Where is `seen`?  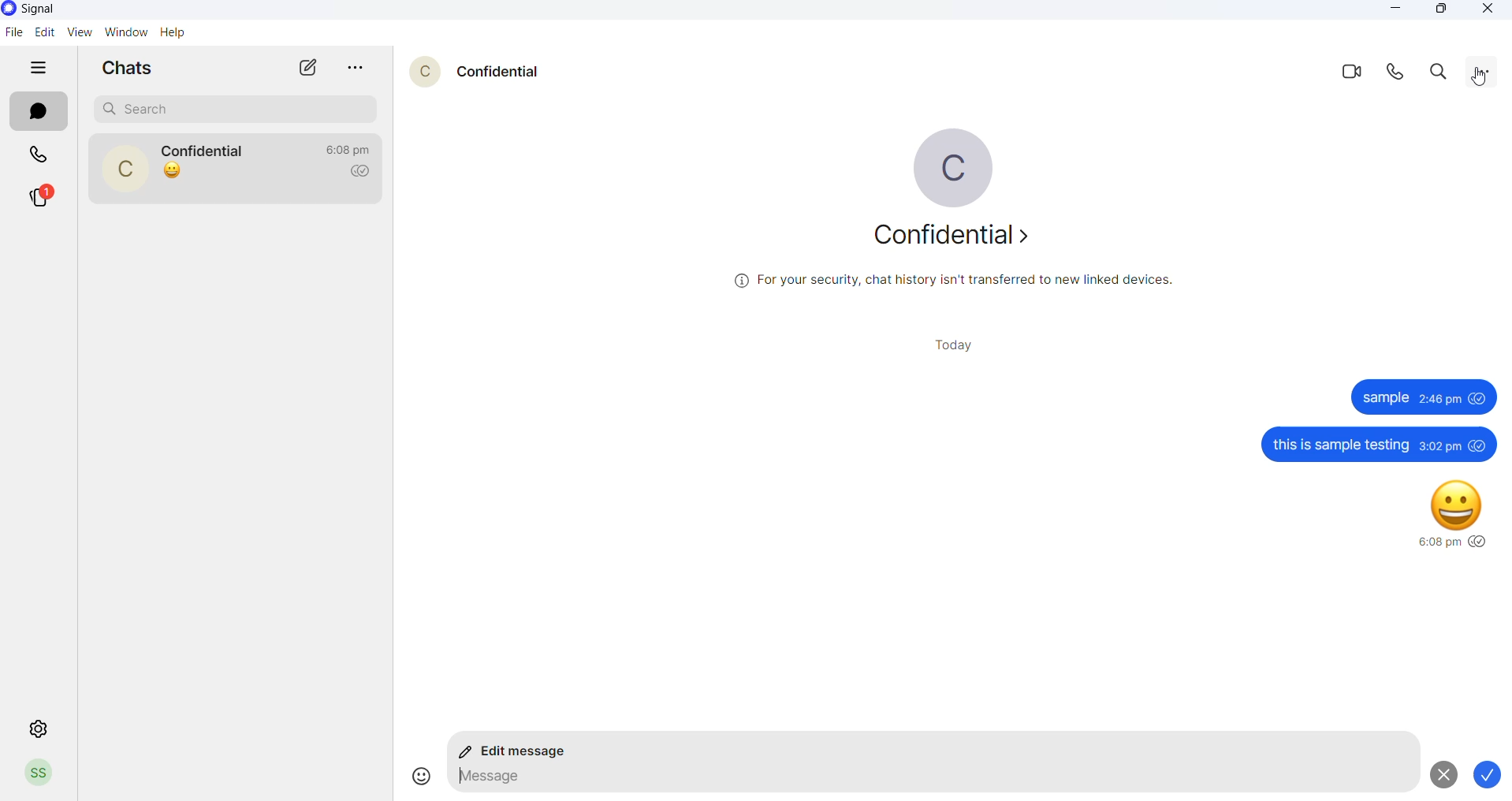 seen is located at coordinates (1480, 542).